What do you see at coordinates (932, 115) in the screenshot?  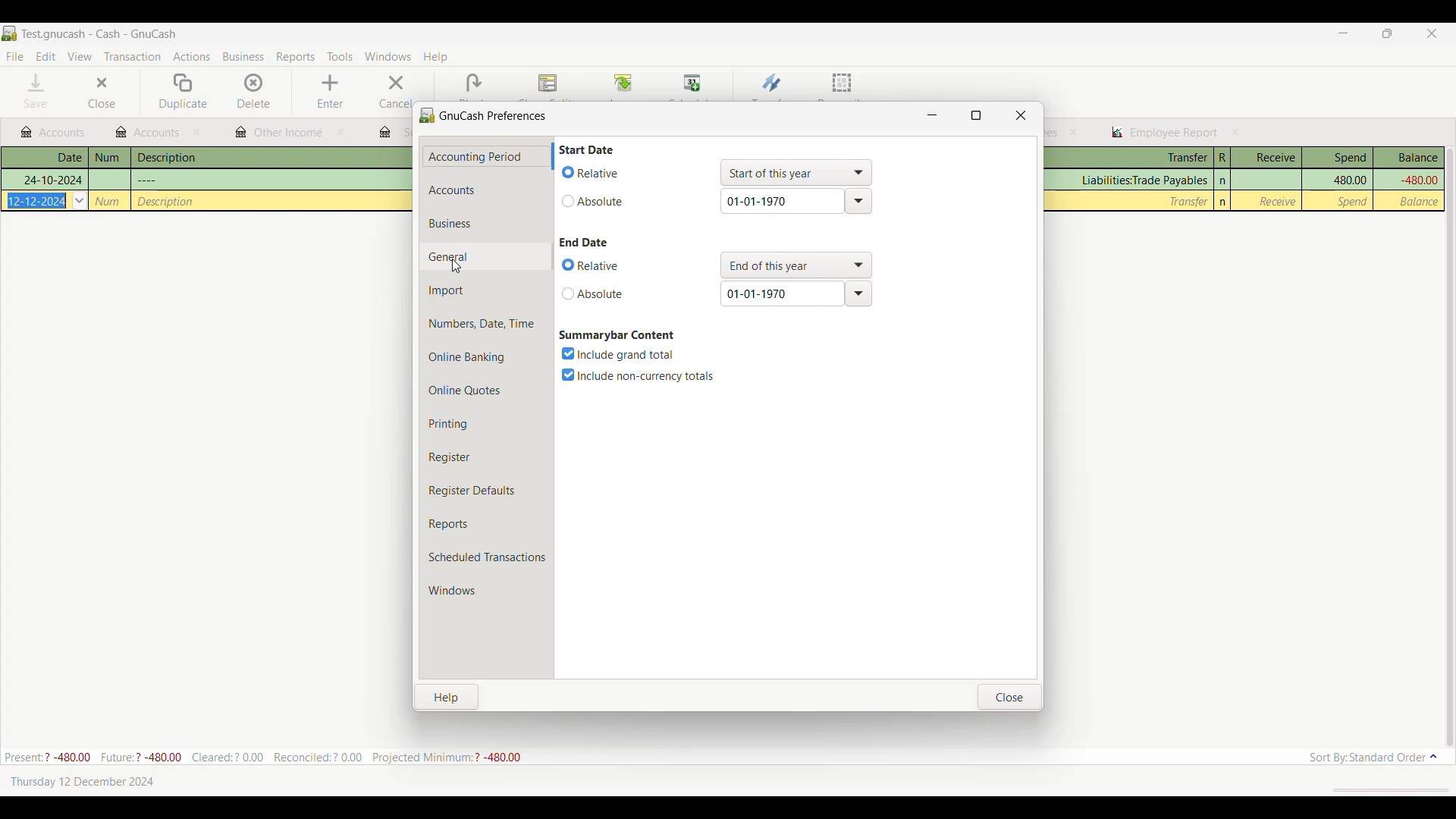 I see `Minimize` at bounding box center [932, 115].